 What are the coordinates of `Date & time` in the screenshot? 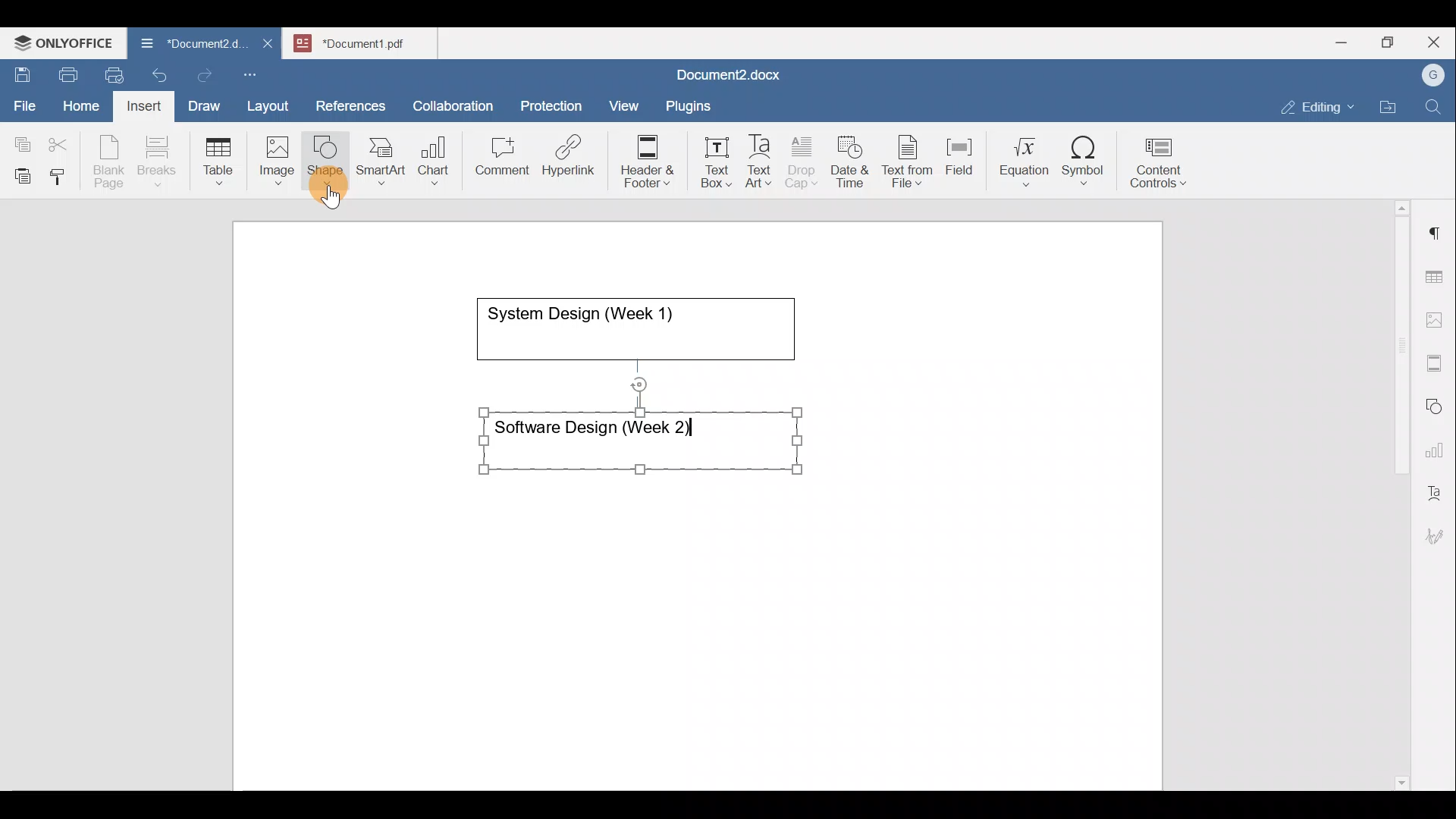 It's located at (851, 159).